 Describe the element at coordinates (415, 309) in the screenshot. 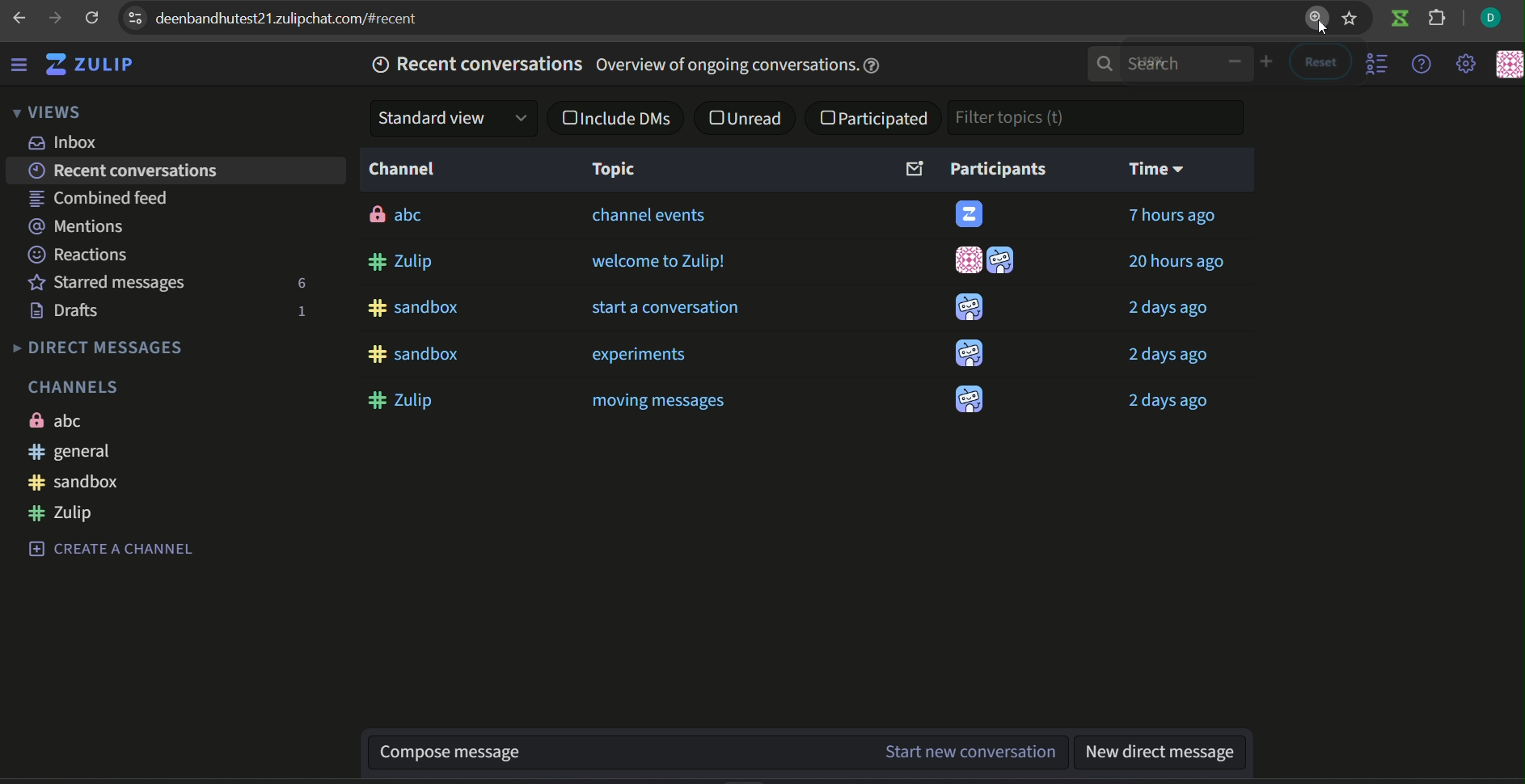

I see `#sandbox` at that location.